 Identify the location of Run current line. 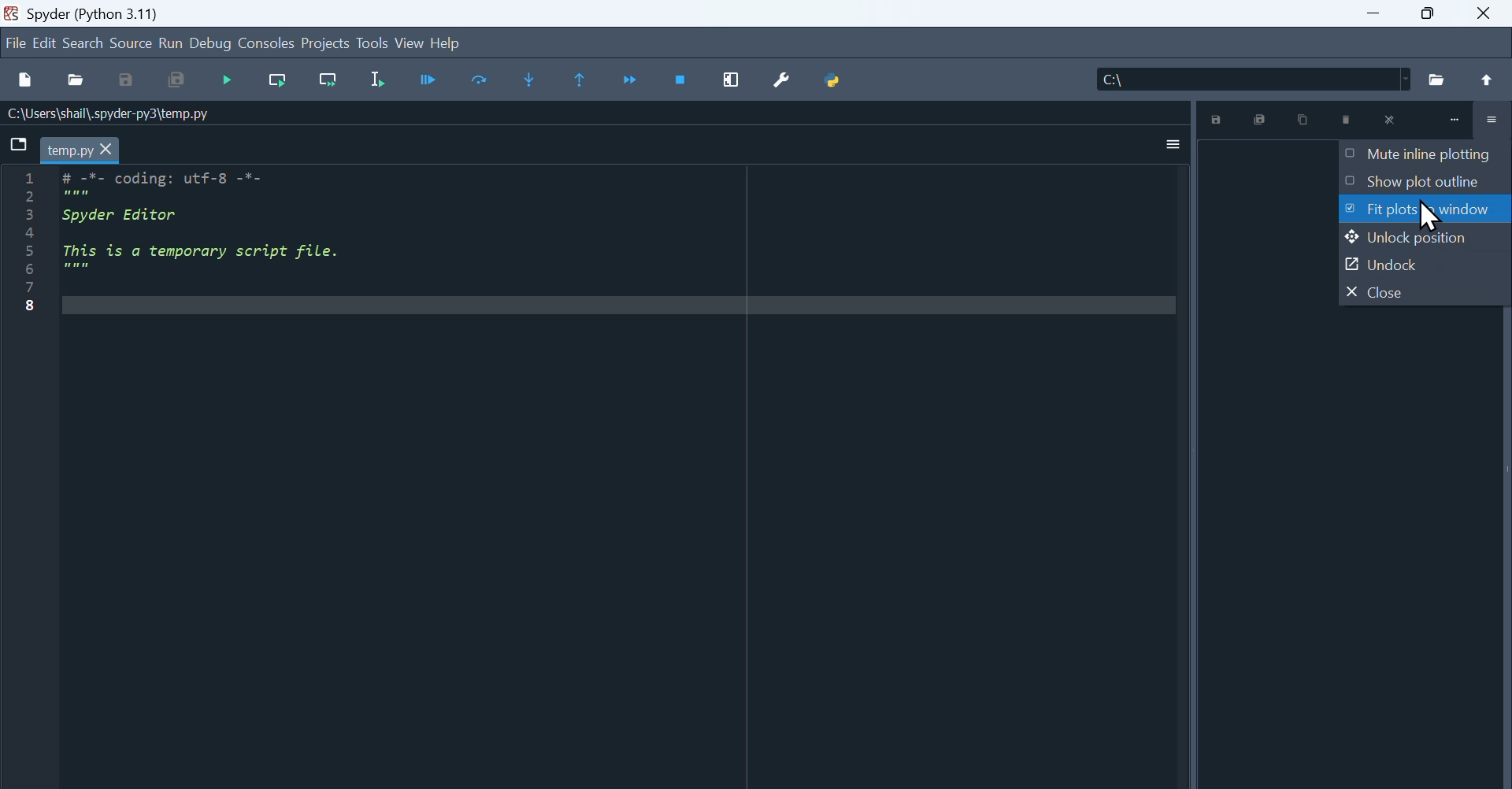
(328, 80).